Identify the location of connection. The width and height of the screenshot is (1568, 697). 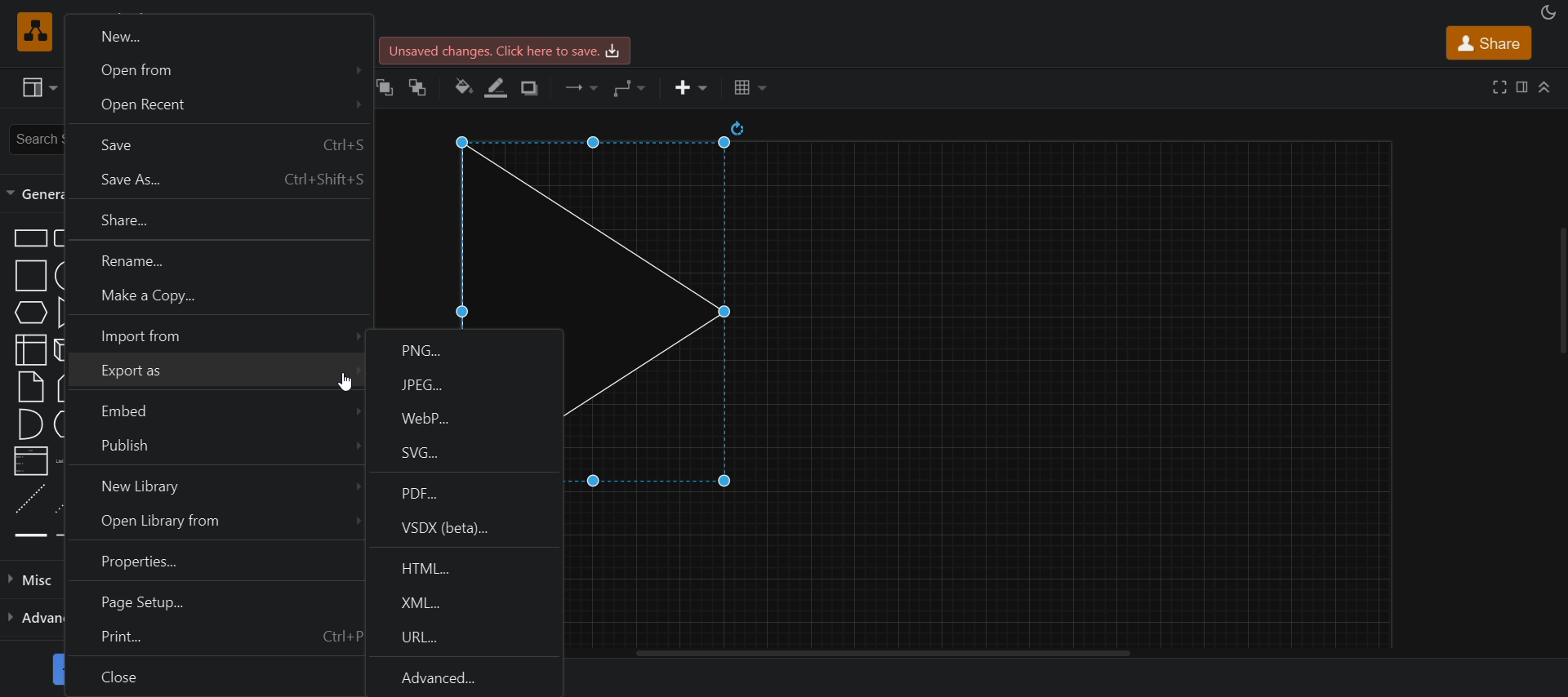
(581, 87).